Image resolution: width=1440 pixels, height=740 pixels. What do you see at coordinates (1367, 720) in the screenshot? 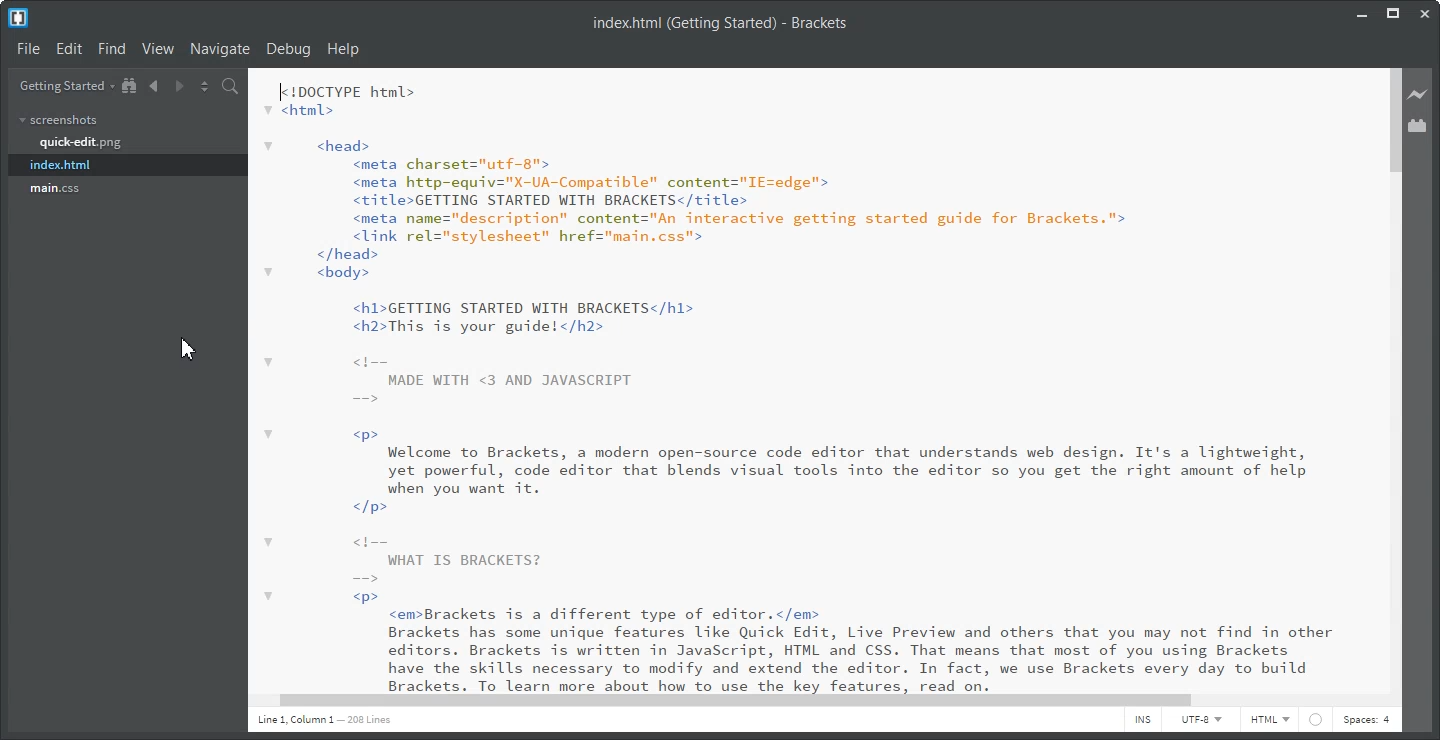
I see `Spaces: 4` at bounding box center [1367, 720].